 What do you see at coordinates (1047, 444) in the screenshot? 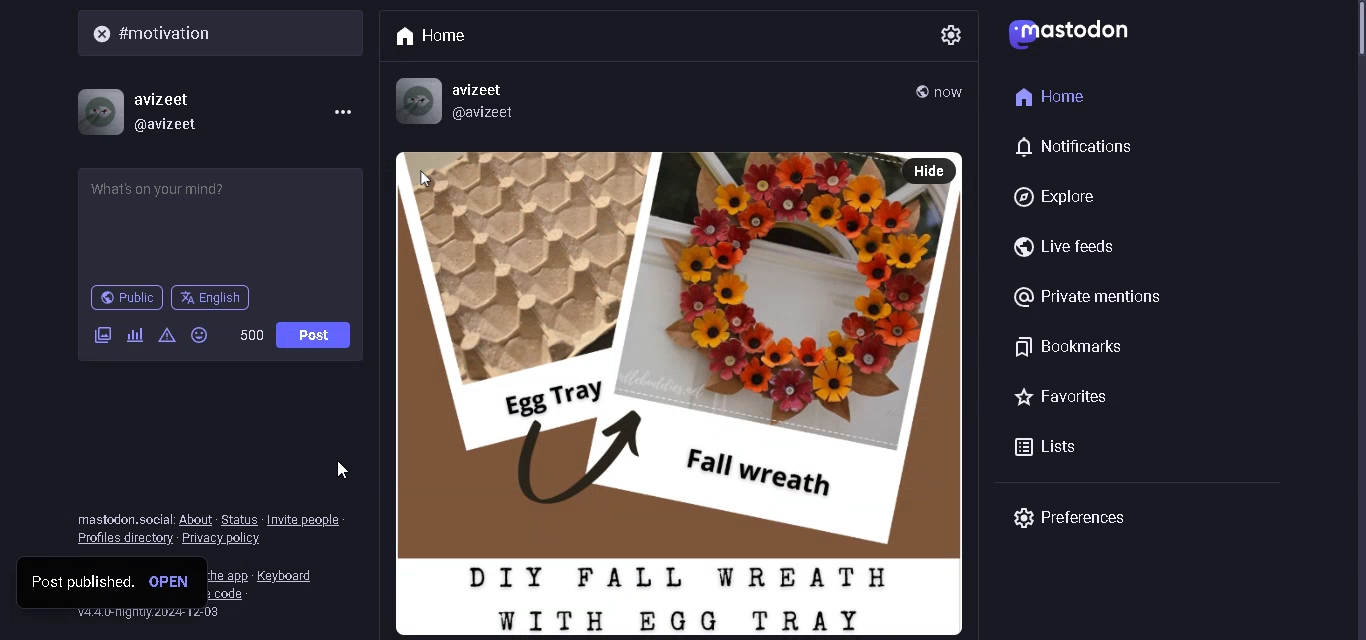
I see `lists` at bounding box center [1047, 444].